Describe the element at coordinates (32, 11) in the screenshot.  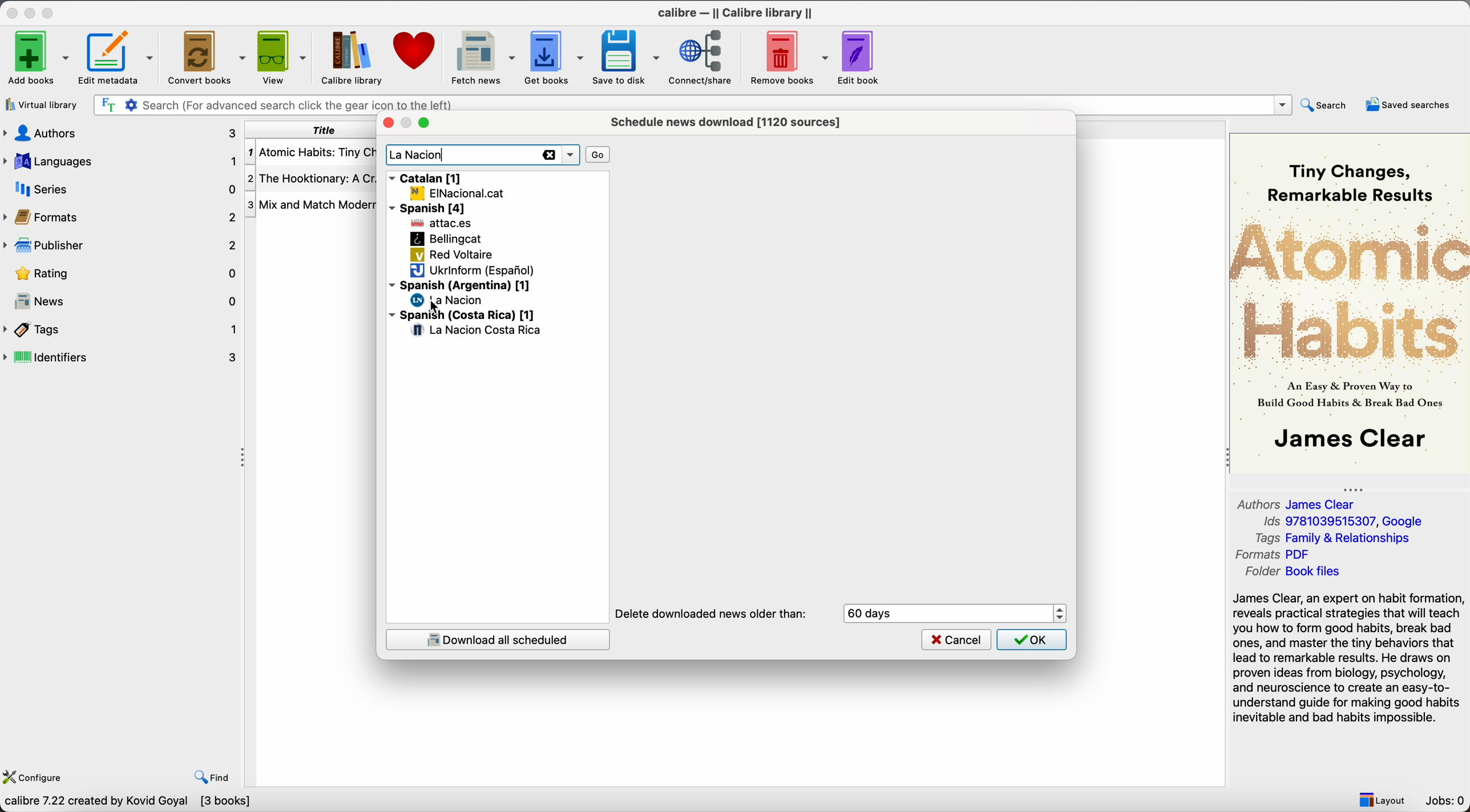
I see `minimize` at that location.